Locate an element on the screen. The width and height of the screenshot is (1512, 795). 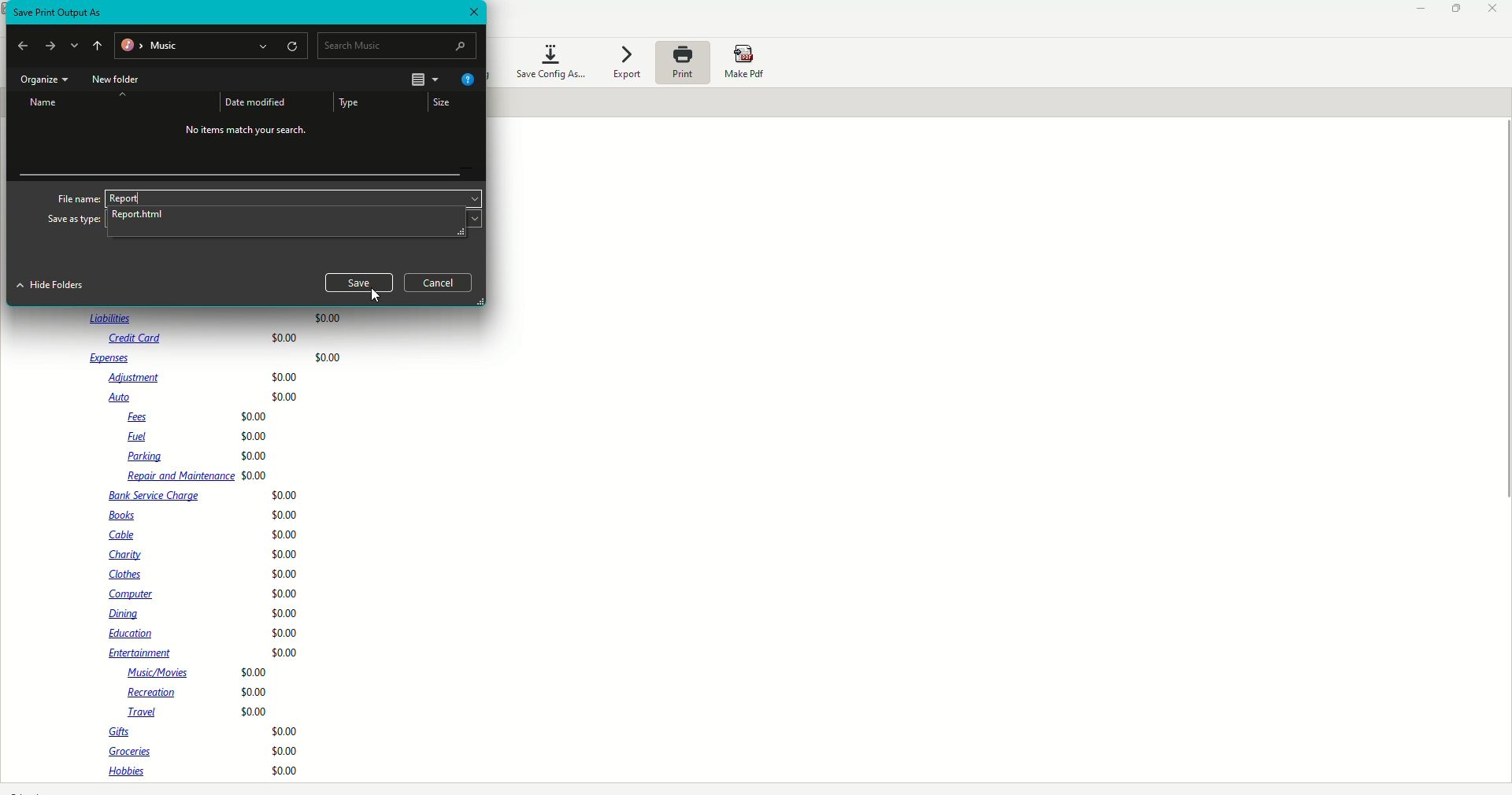
Organize is located at coordinates (43, 80).